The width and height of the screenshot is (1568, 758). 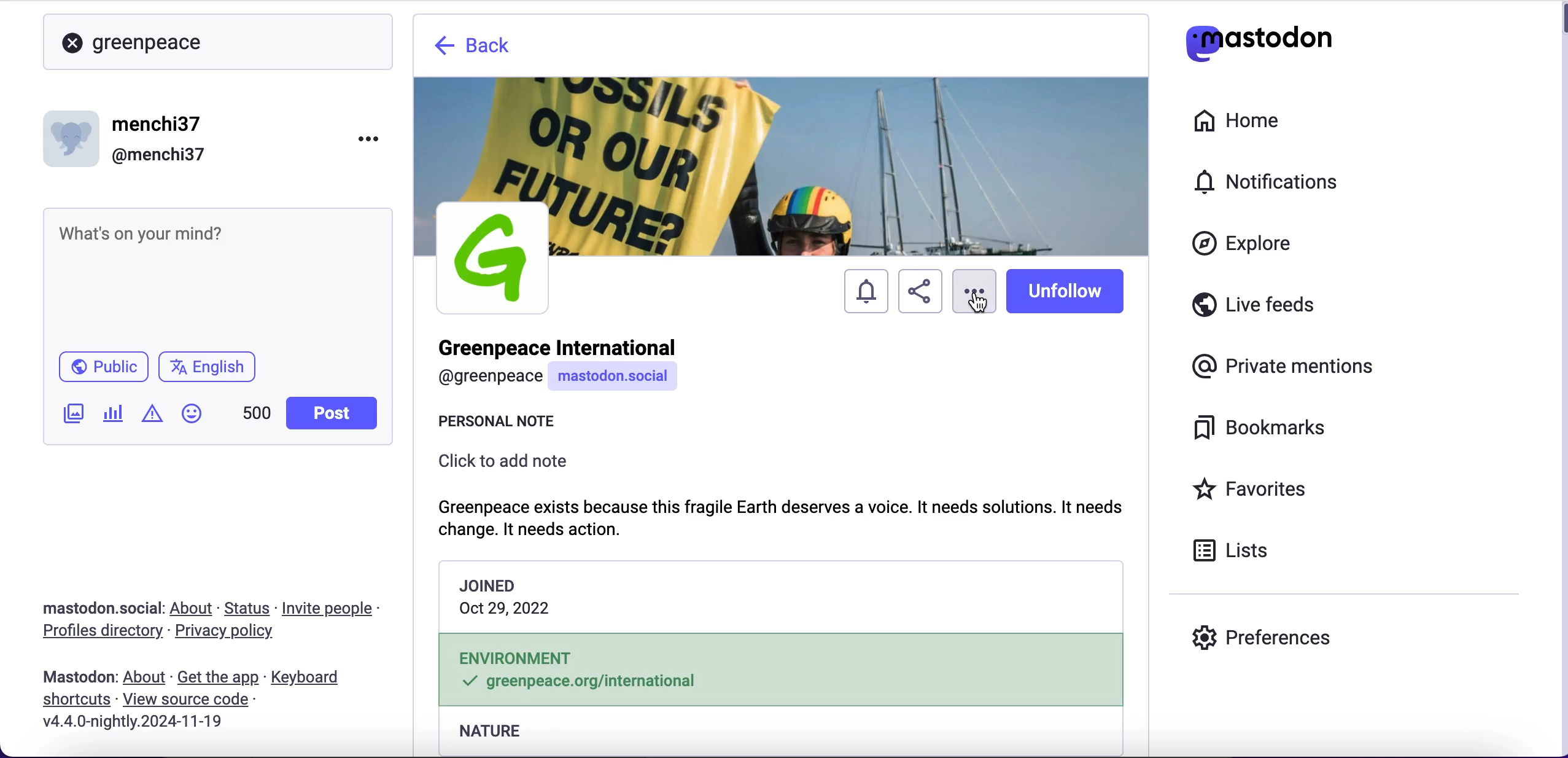 What do you see at coordinates (95, 633) in the screenshot?
I see `profiles directory` at bounding box center [95, 633].